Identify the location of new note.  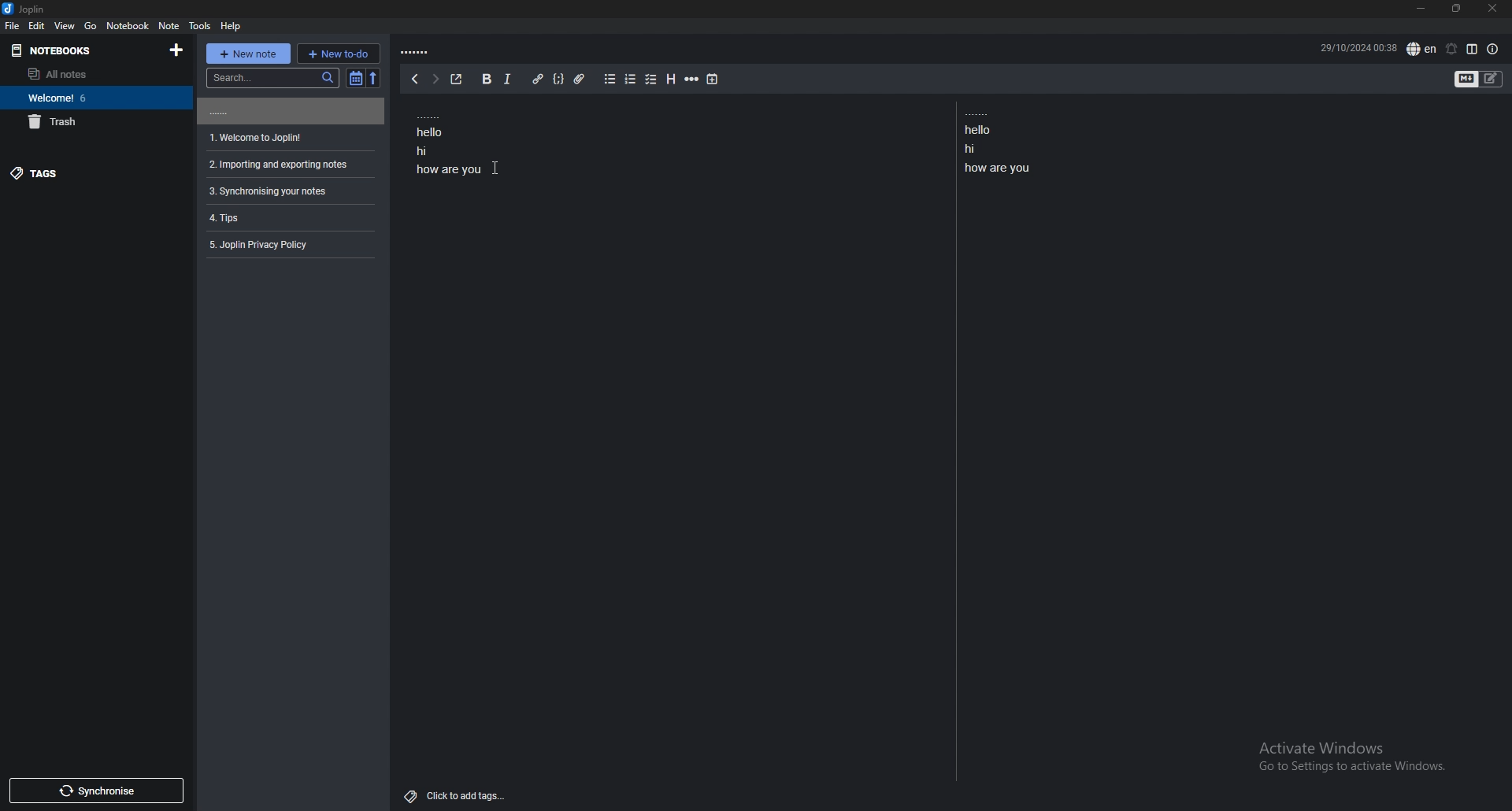
(246, 54).